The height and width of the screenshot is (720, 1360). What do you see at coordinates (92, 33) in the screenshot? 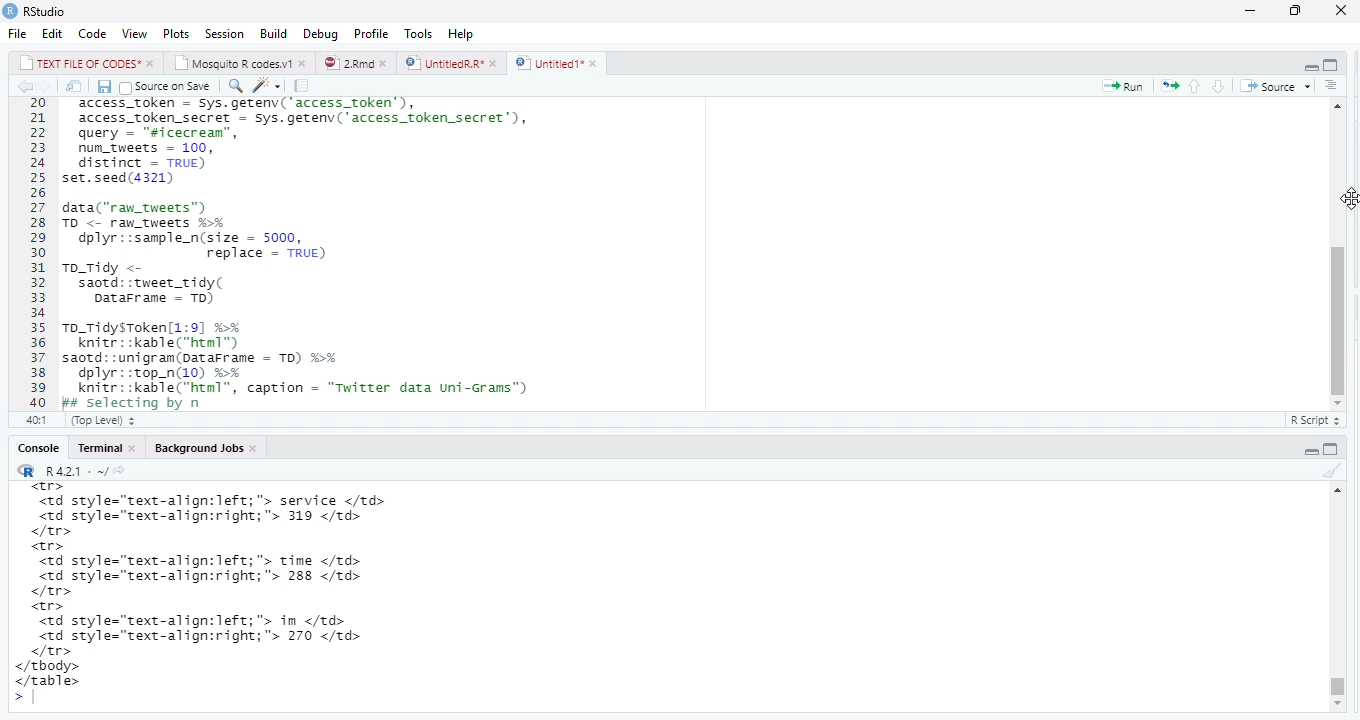
I see `Code` at bounding box center [92, 33].